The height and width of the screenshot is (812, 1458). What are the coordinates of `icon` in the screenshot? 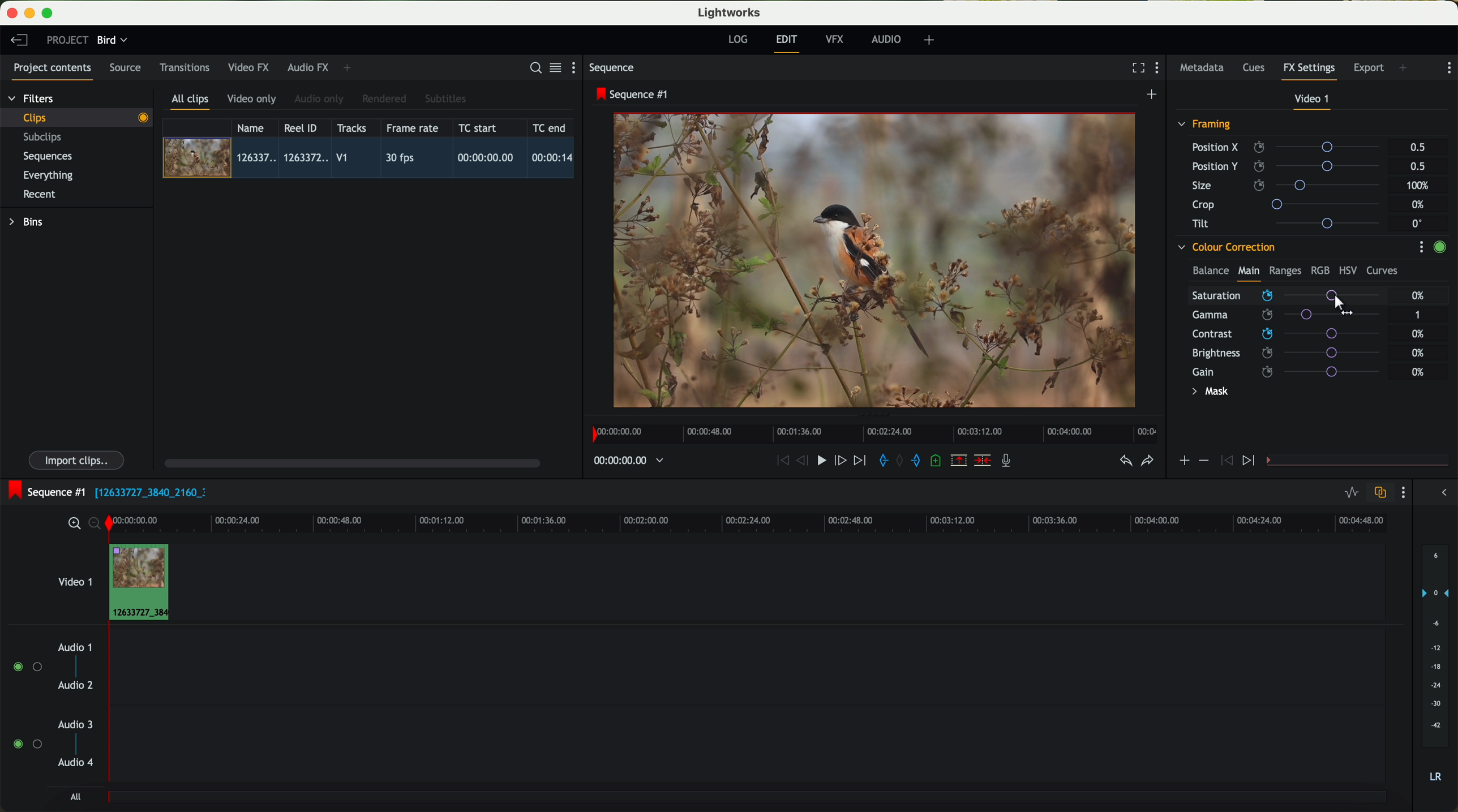 It's located at (1250, 461).